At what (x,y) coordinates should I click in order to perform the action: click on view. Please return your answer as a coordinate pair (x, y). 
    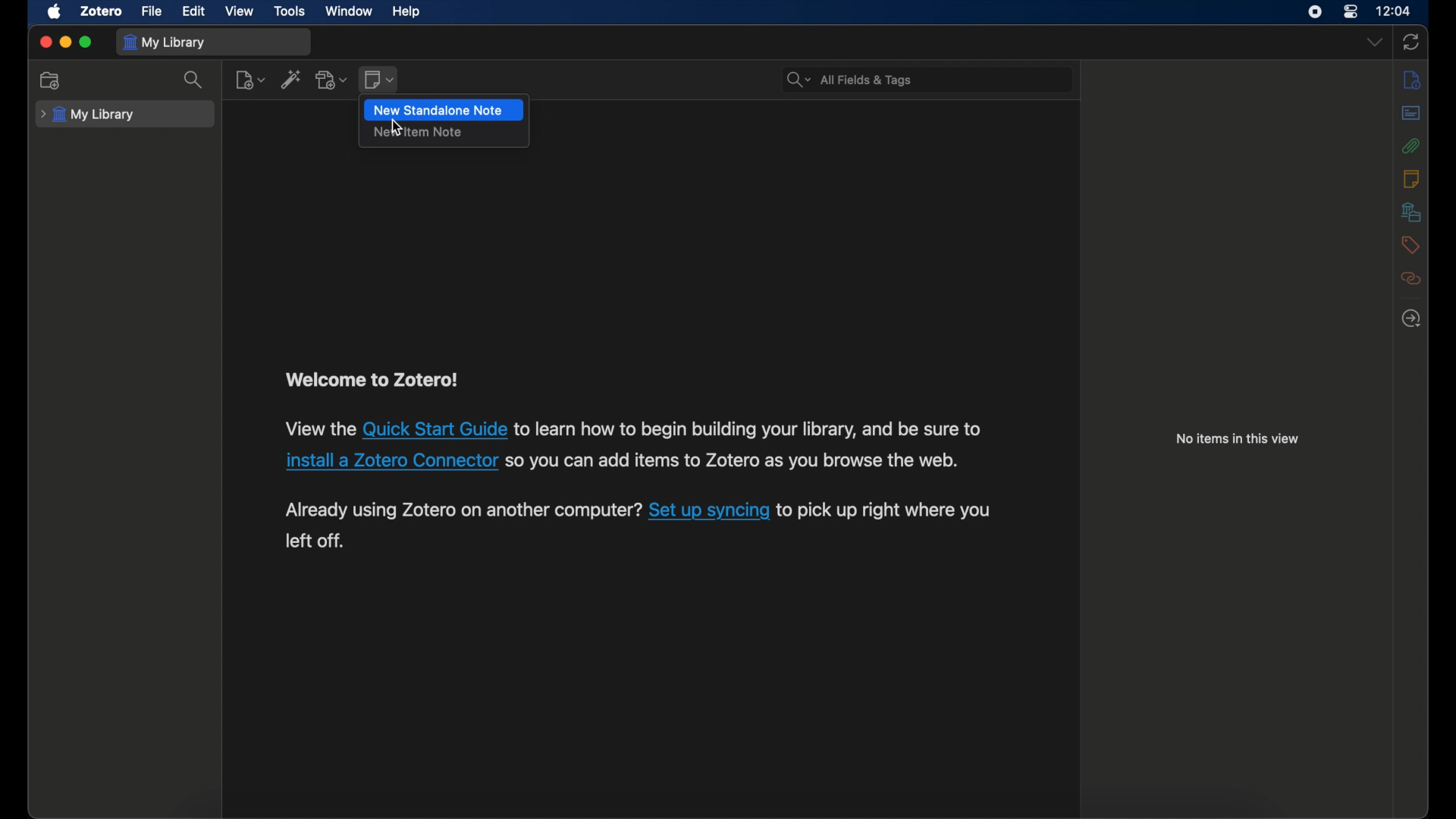
    Looking at the image, I should click on (240, 12).